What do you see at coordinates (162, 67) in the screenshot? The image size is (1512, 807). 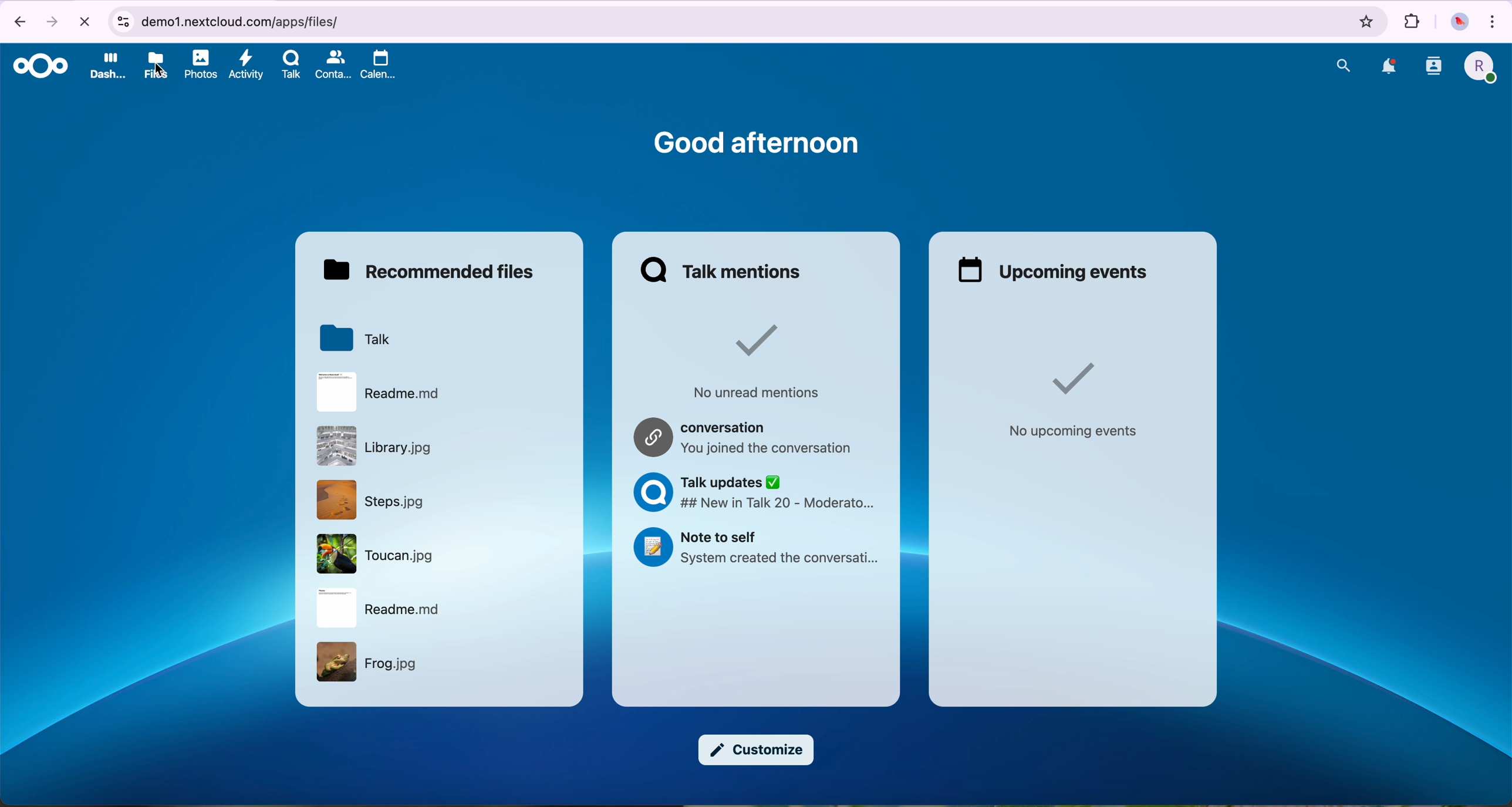 I see `cursor` at bounding box center [162, 67].